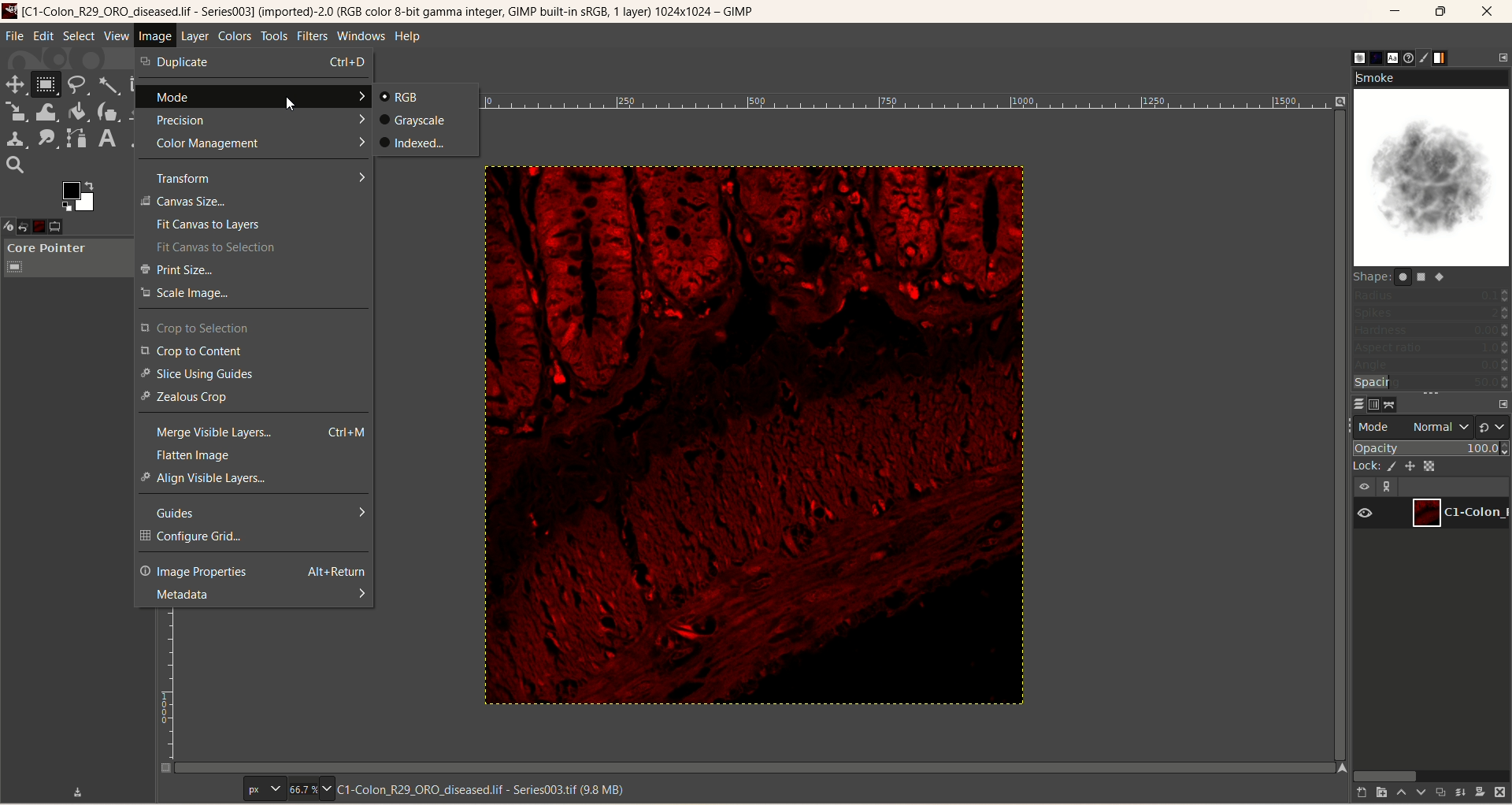 This screenshot has width=1512, height=805. Describe the element at coordinates (1430, 467) in the screenshot. I see `lock alpha channel` at that location.